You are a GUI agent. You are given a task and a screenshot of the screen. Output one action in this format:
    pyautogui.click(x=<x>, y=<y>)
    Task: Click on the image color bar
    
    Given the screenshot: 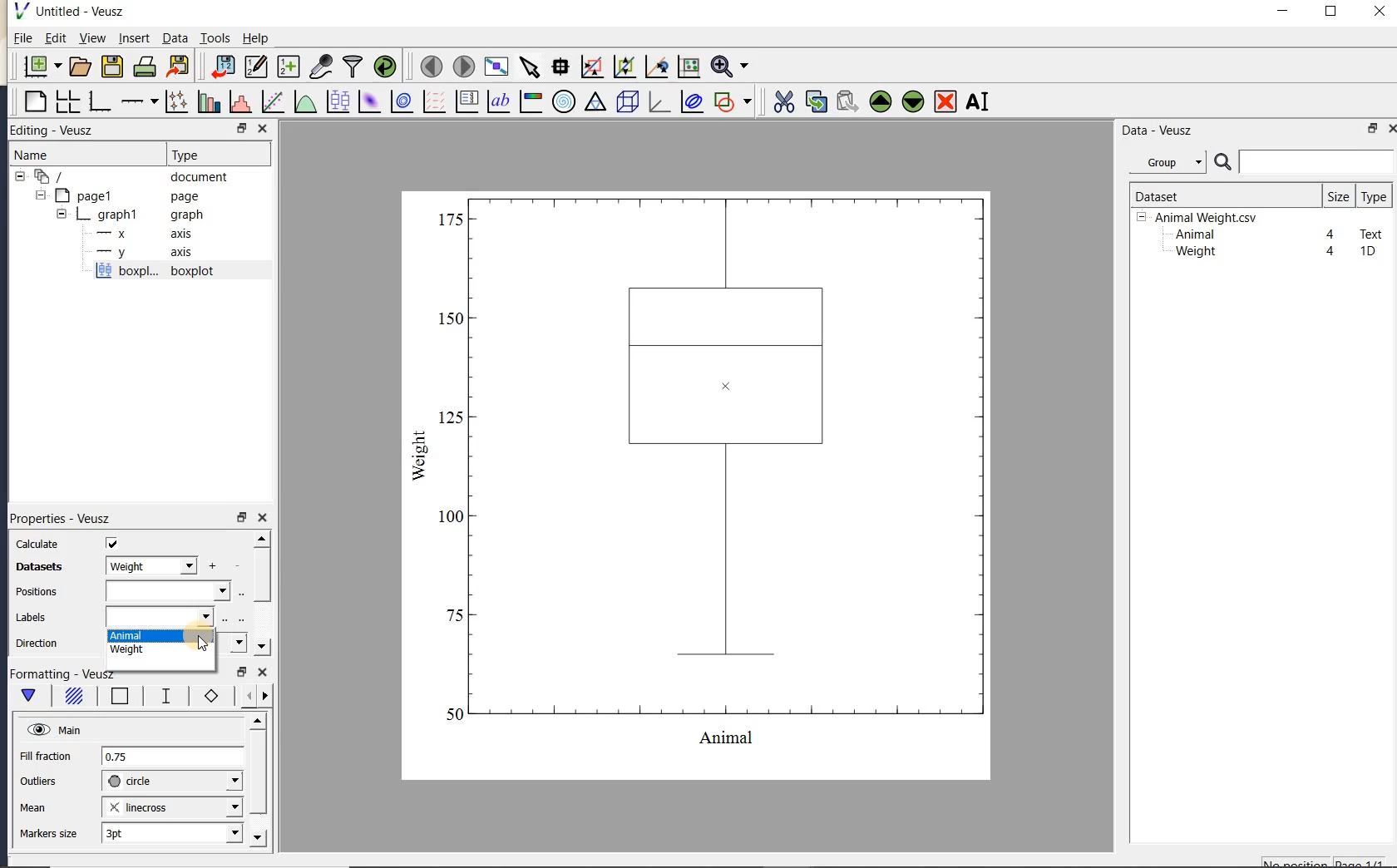 What is the action you would take?
    pyautogui.click(x=531, y=101)
    